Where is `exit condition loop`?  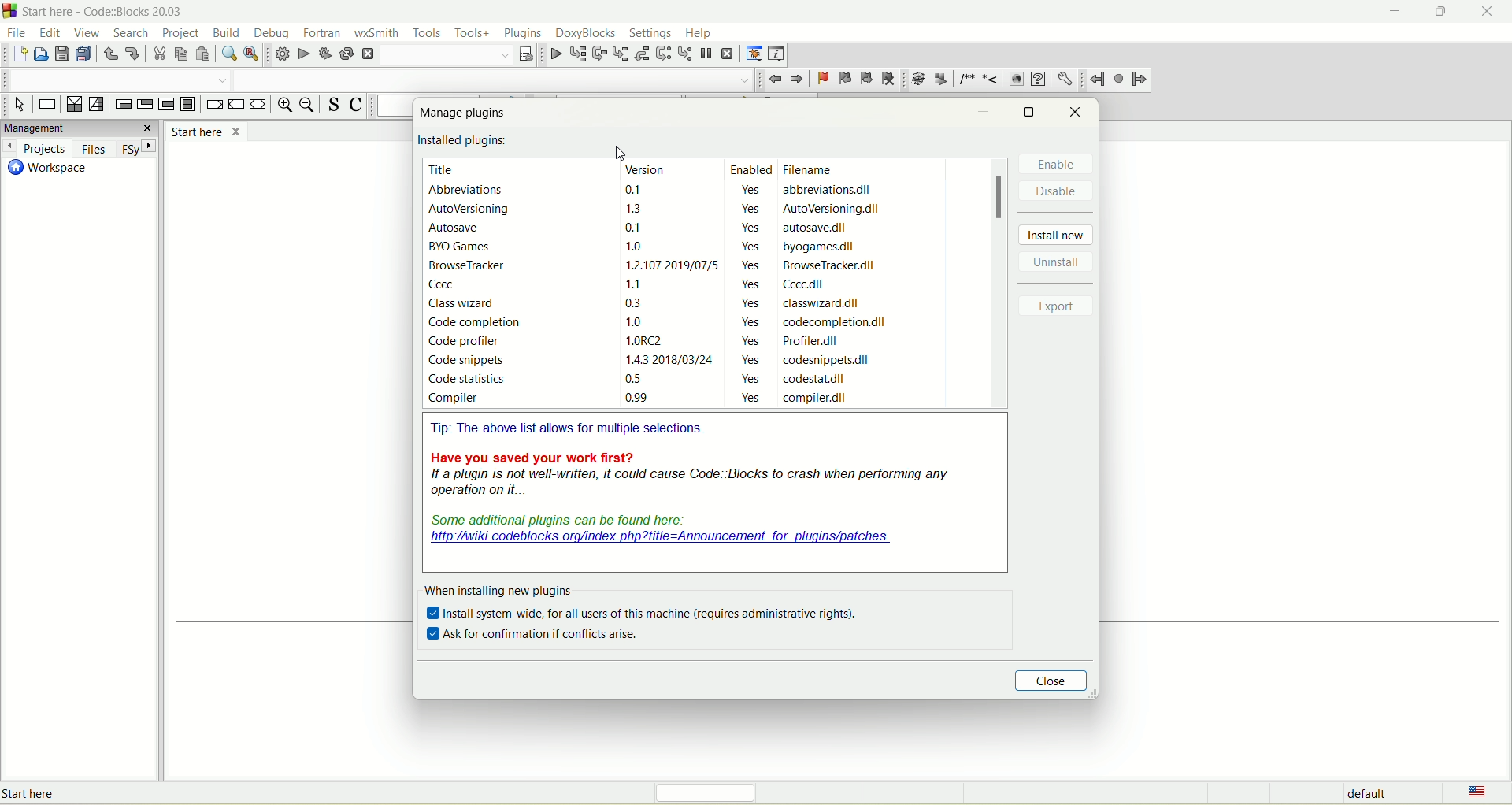 exit condition loop is located at coordinates (144, 106).